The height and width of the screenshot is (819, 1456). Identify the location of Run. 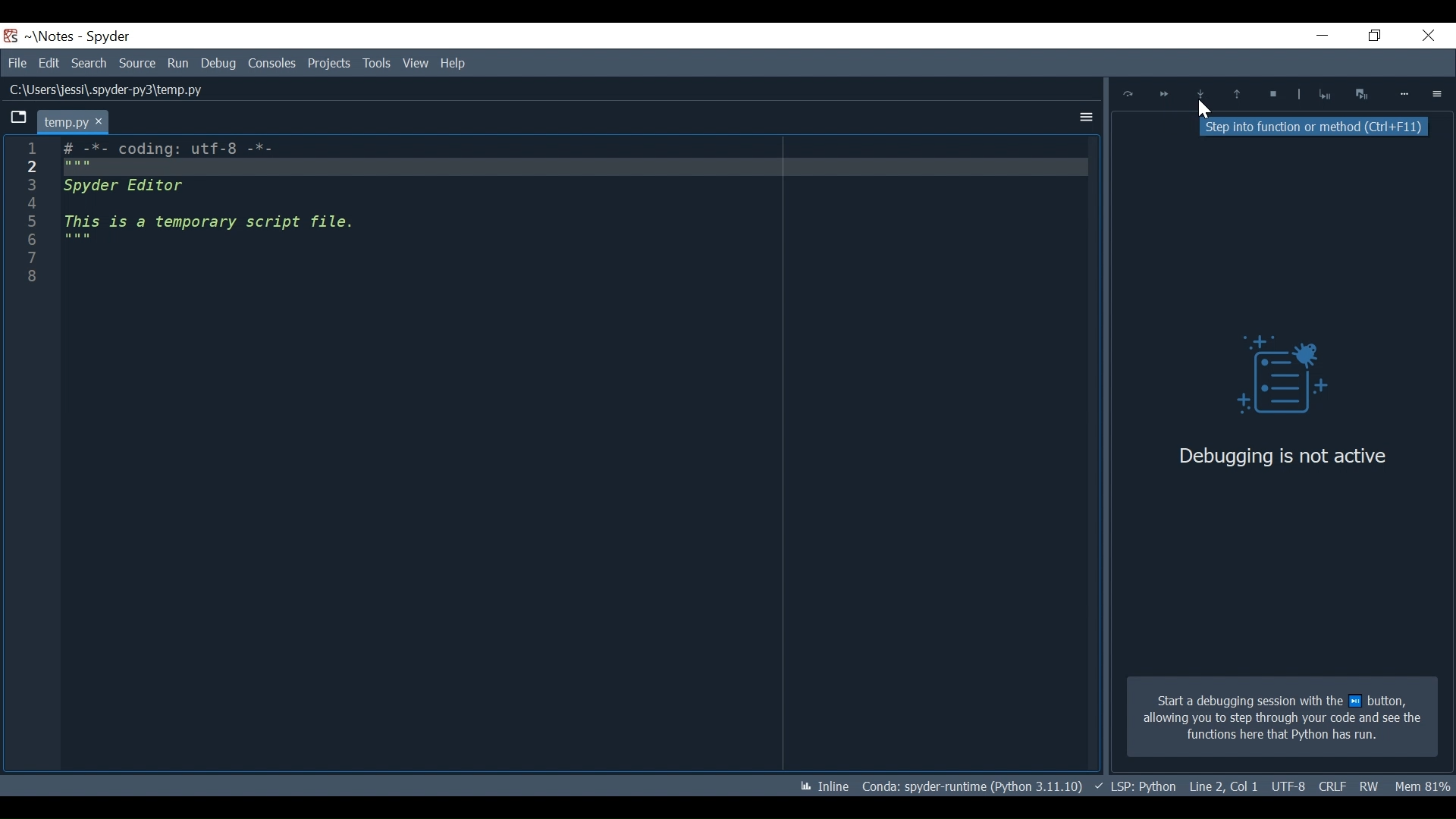
(179, 63).